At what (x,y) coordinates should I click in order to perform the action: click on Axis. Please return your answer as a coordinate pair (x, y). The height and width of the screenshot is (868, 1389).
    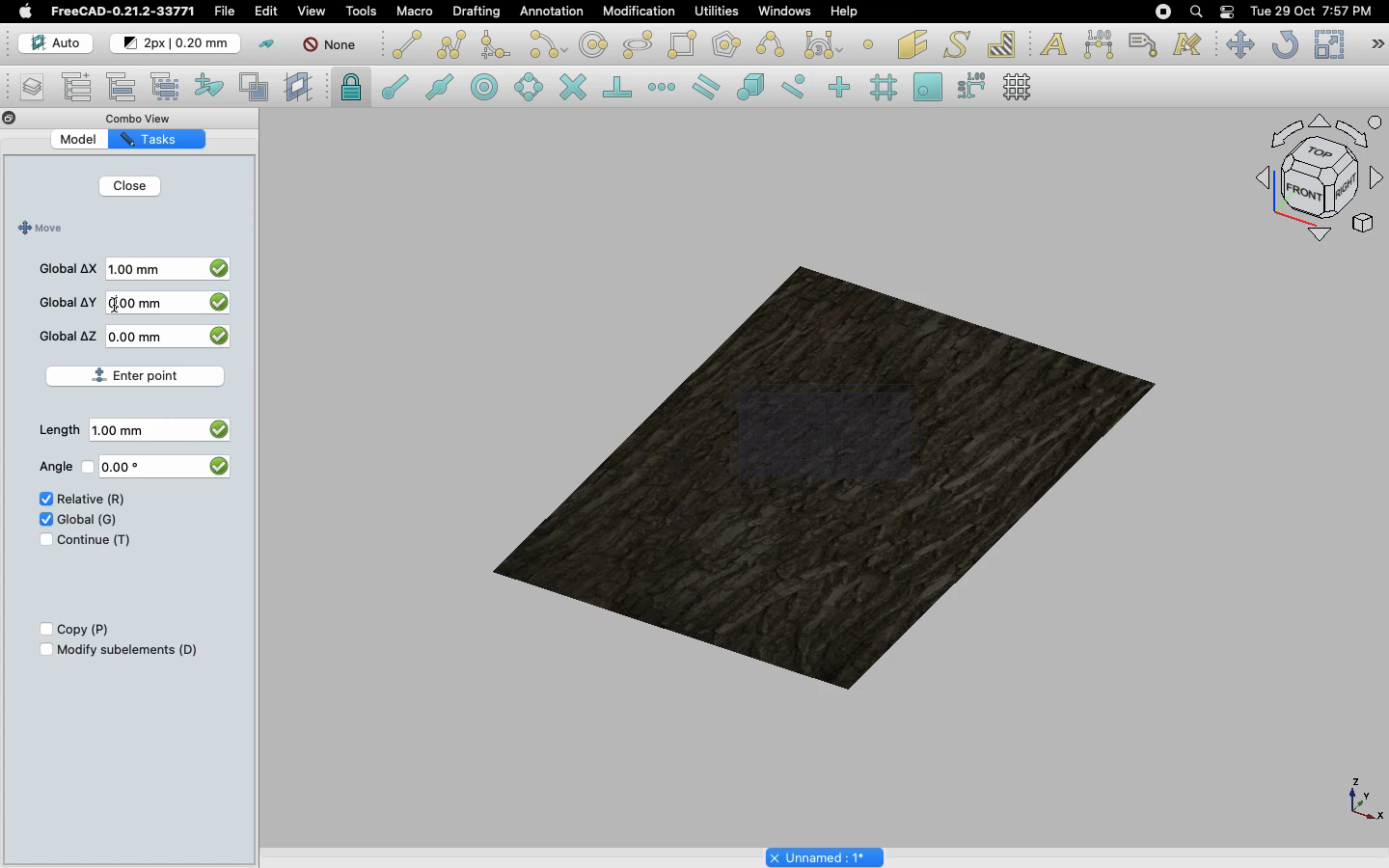
    Looking at the image, I should click on (1361, 798).